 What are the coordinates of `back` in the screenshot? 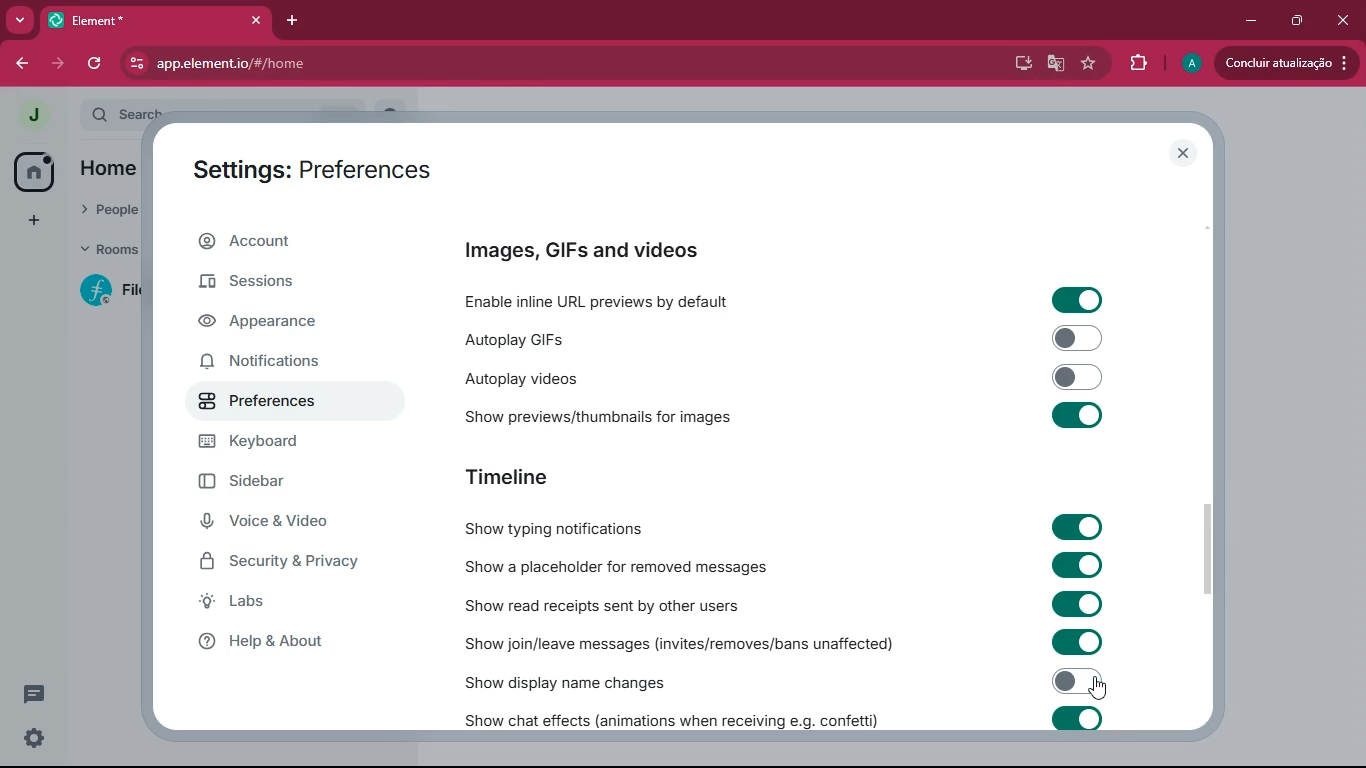 It's located at (19, 64).